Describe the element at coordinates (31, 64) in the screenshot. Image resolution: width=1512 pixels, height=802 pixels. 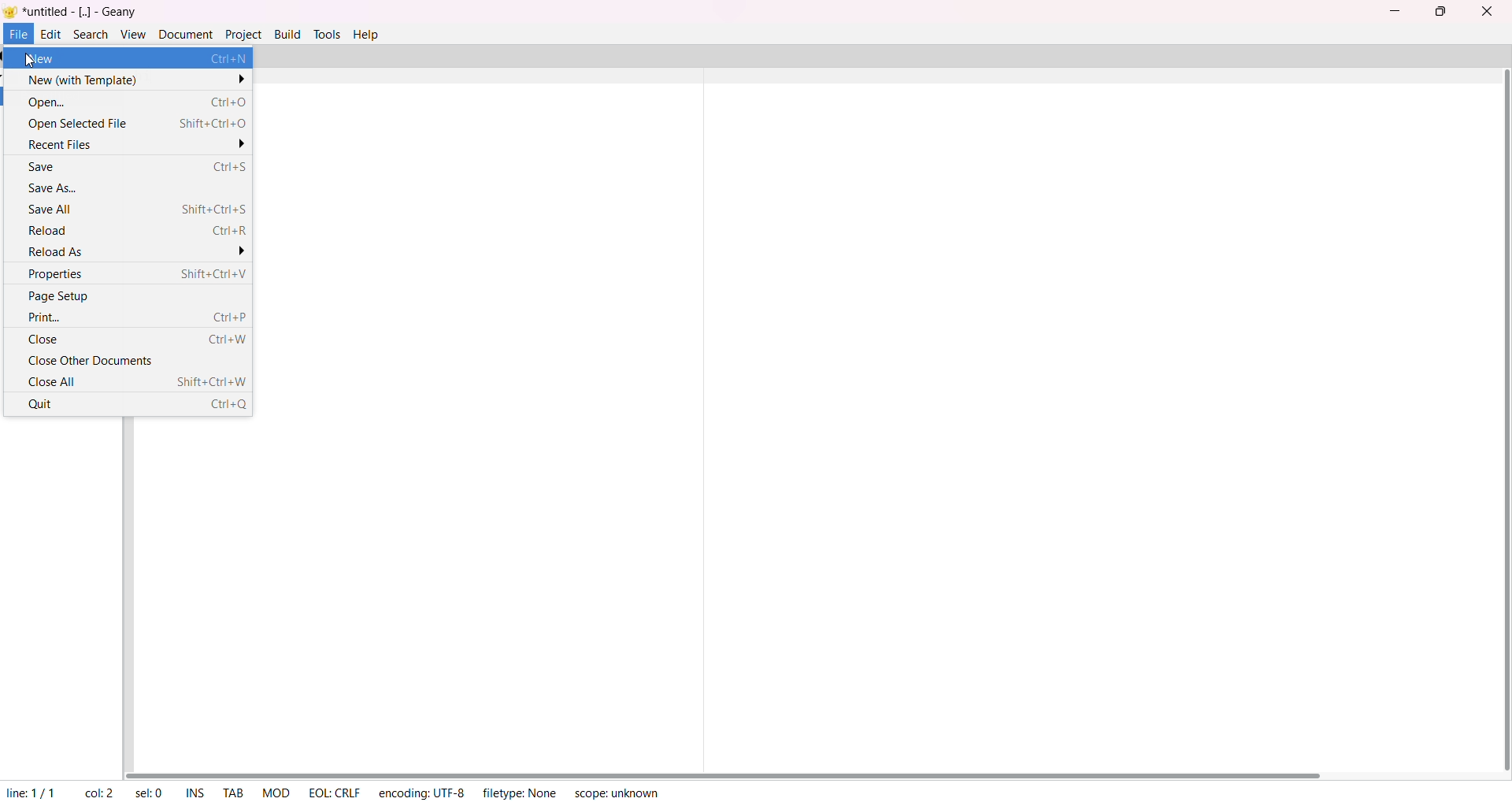
I see `cursor` at that location.